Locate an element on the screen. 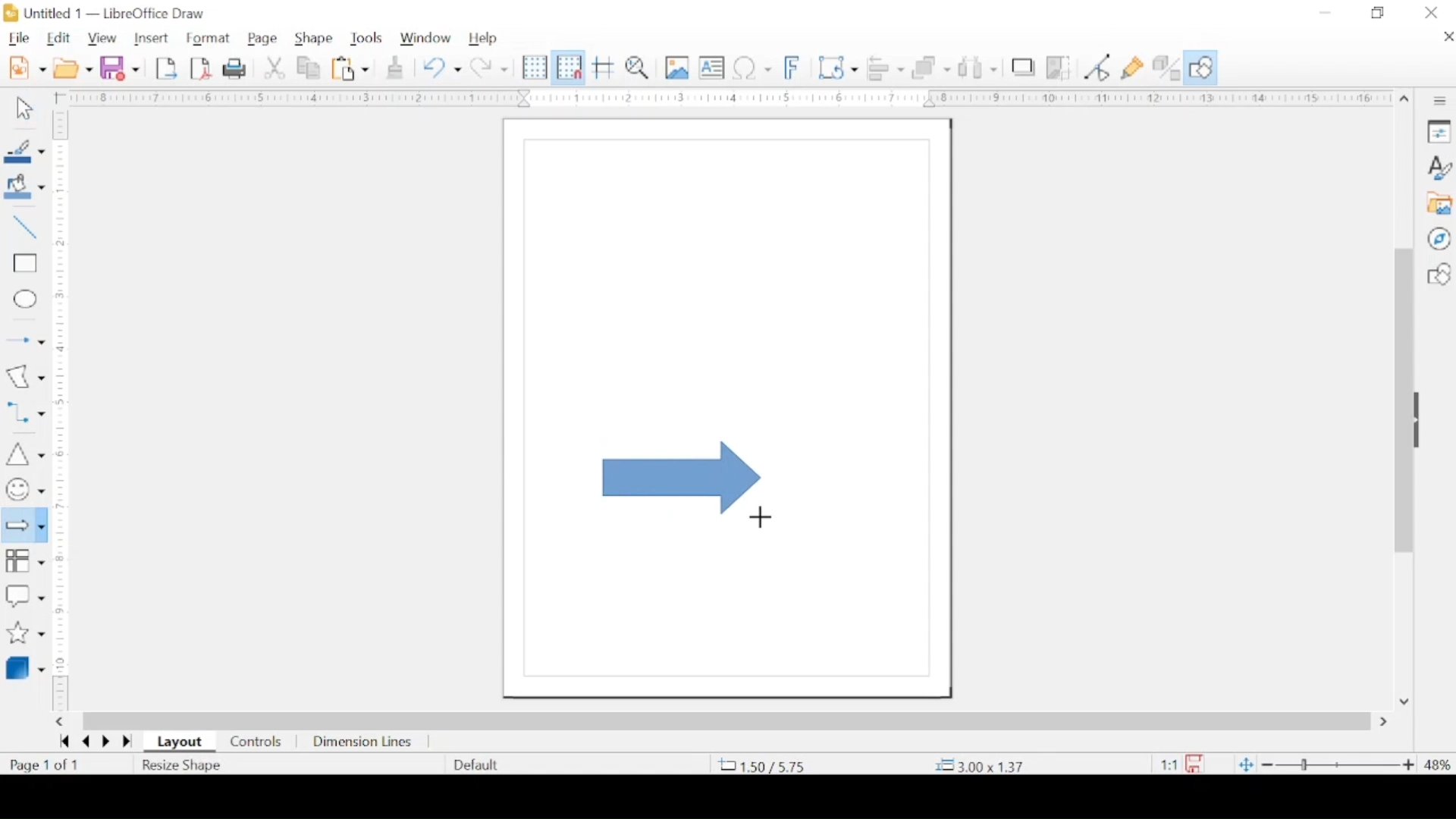  crop image is located at coordinates (1059, 67).